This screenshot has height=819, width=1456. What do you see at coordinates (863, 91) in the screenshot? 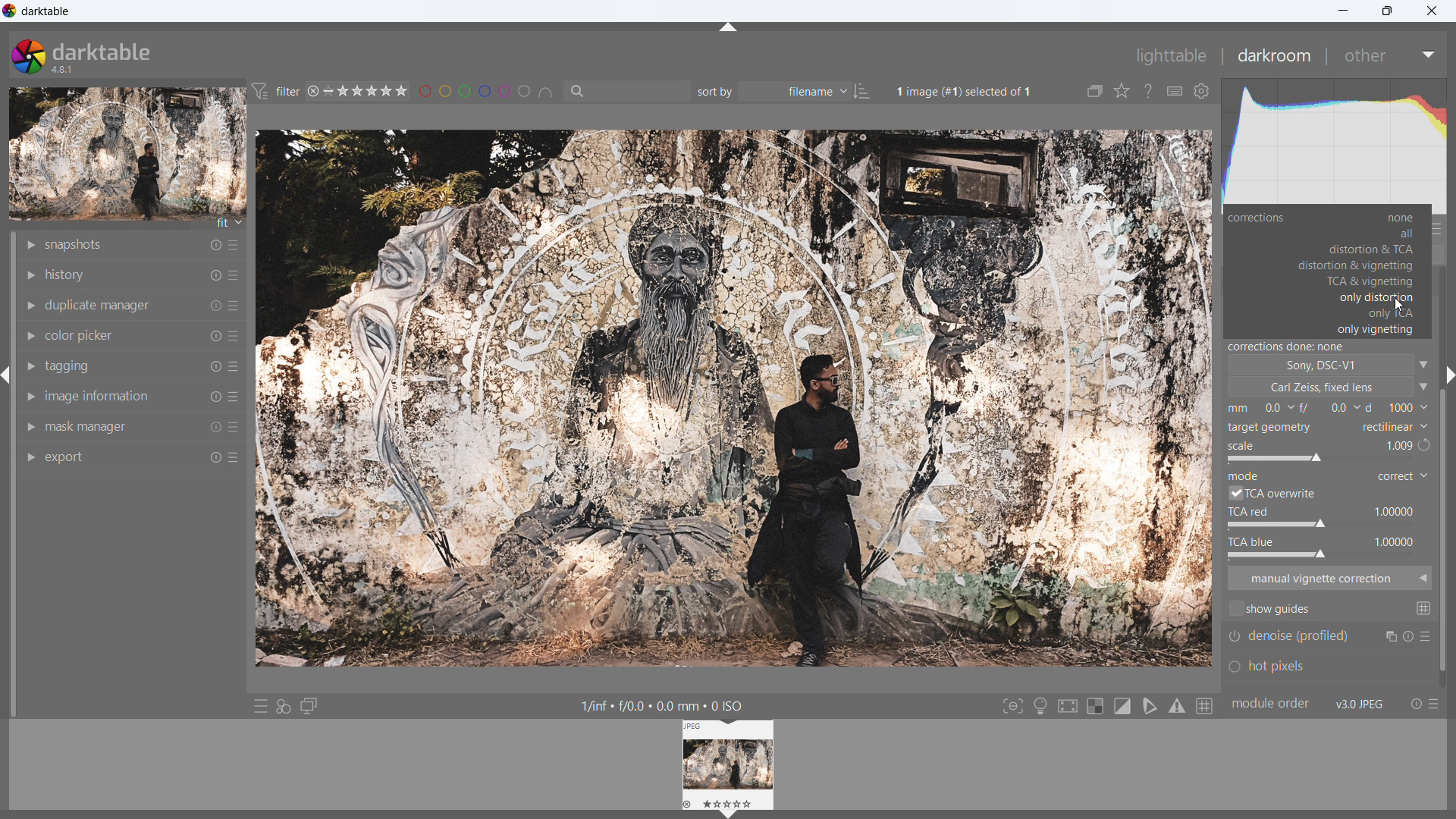
I see `ascending/descending` at bounding box center [863, 91].